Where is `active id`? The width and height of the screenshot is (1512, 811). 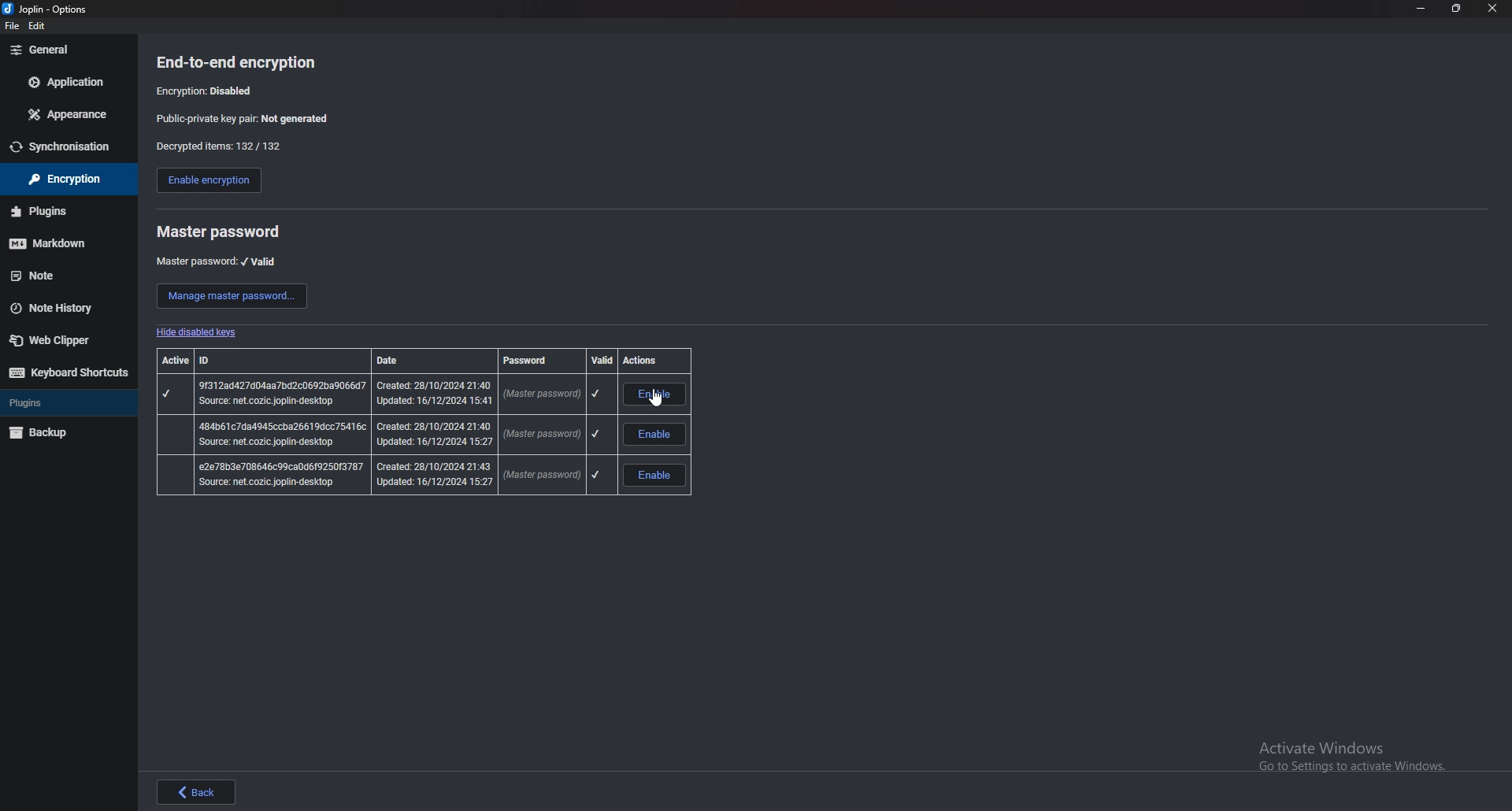
active id is located at coordinates (176, 361).